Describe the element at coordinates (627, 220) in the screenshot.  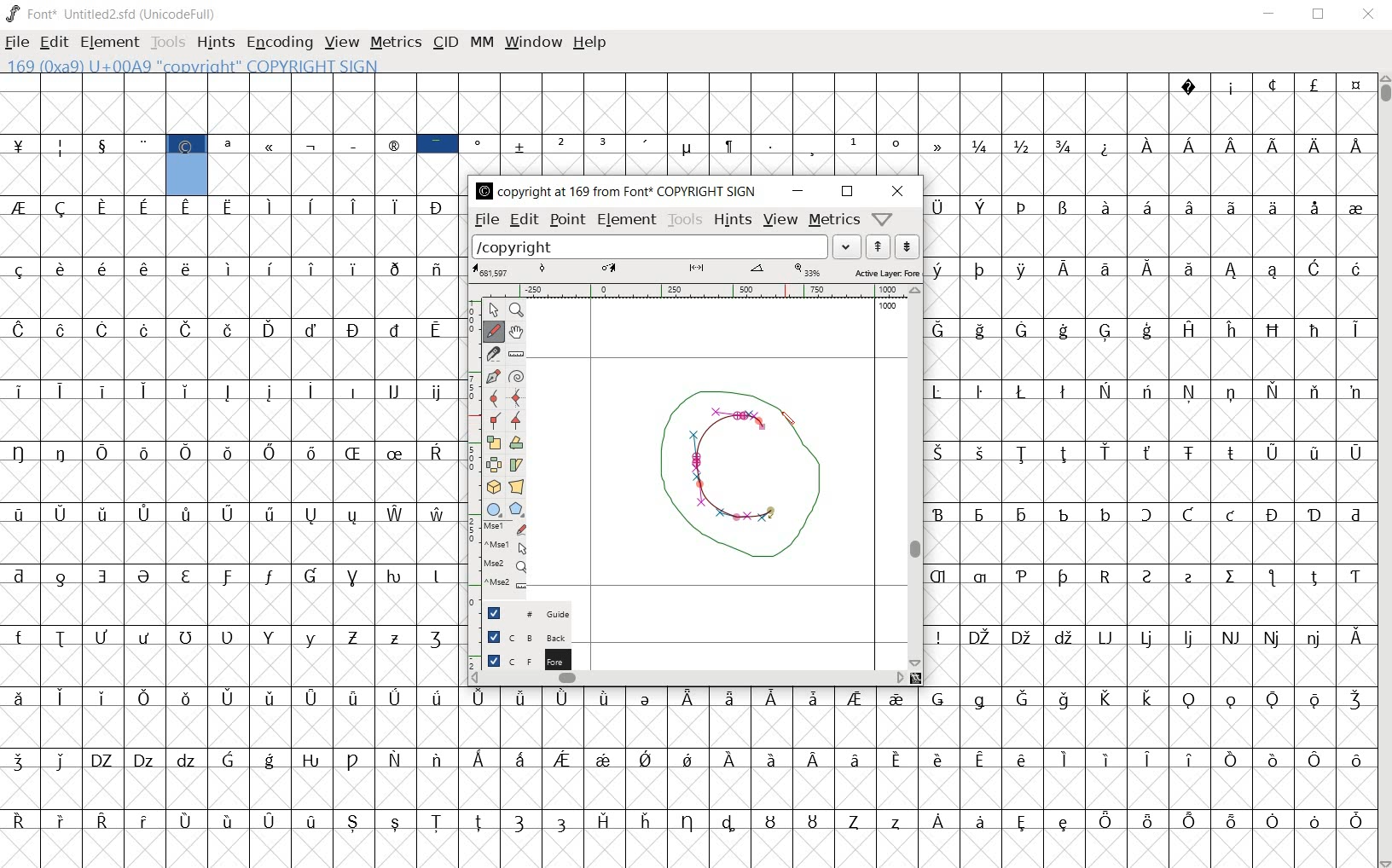
I see `element` at that location.